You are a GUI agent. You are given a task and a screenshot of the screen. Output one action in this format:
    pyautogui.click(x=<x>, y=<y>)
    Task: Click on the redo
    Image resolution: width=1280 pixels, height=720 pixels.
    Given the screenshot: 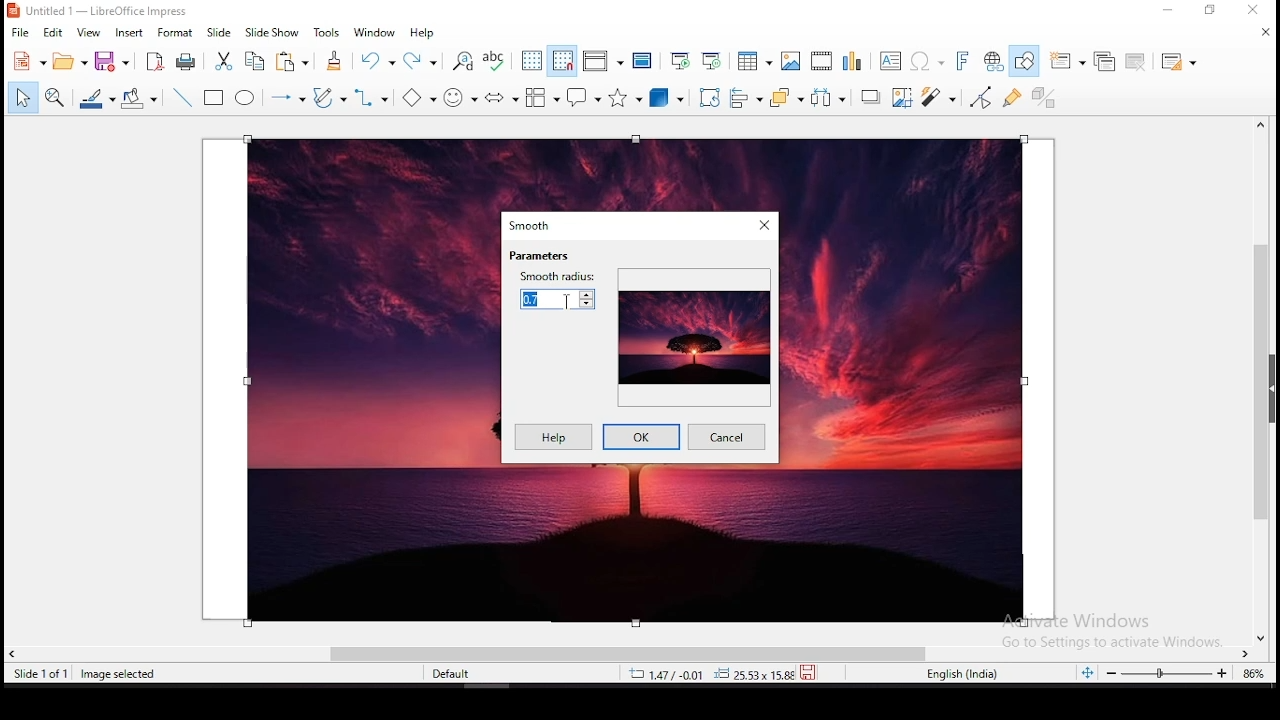 What is the action you would take?
    pyautogui.click(x=421, y=59)
    